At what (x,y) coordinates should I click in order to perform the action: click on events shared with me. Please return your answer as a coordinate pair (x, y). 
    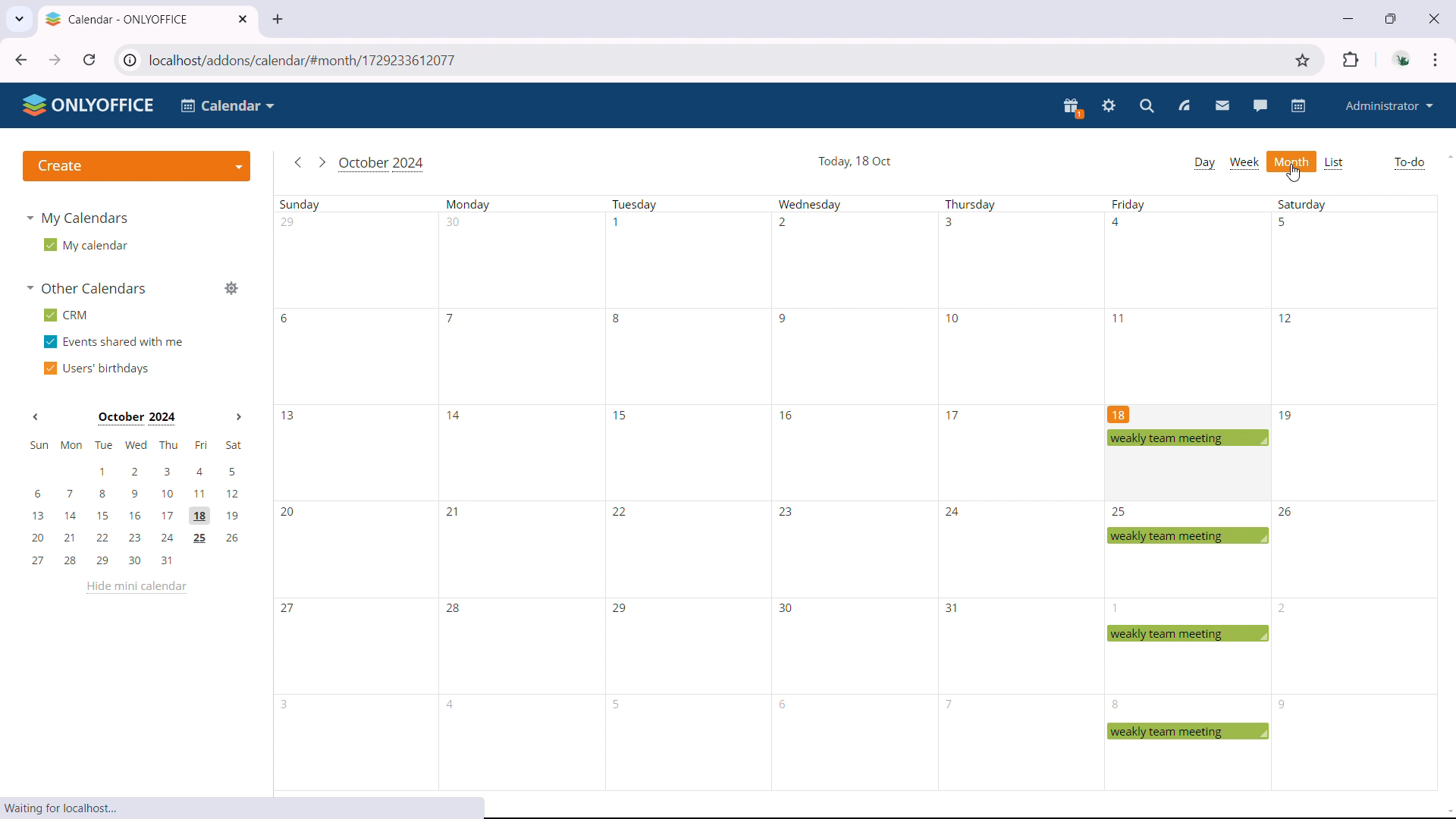
    Looking at the image, I should click on (113, 342).